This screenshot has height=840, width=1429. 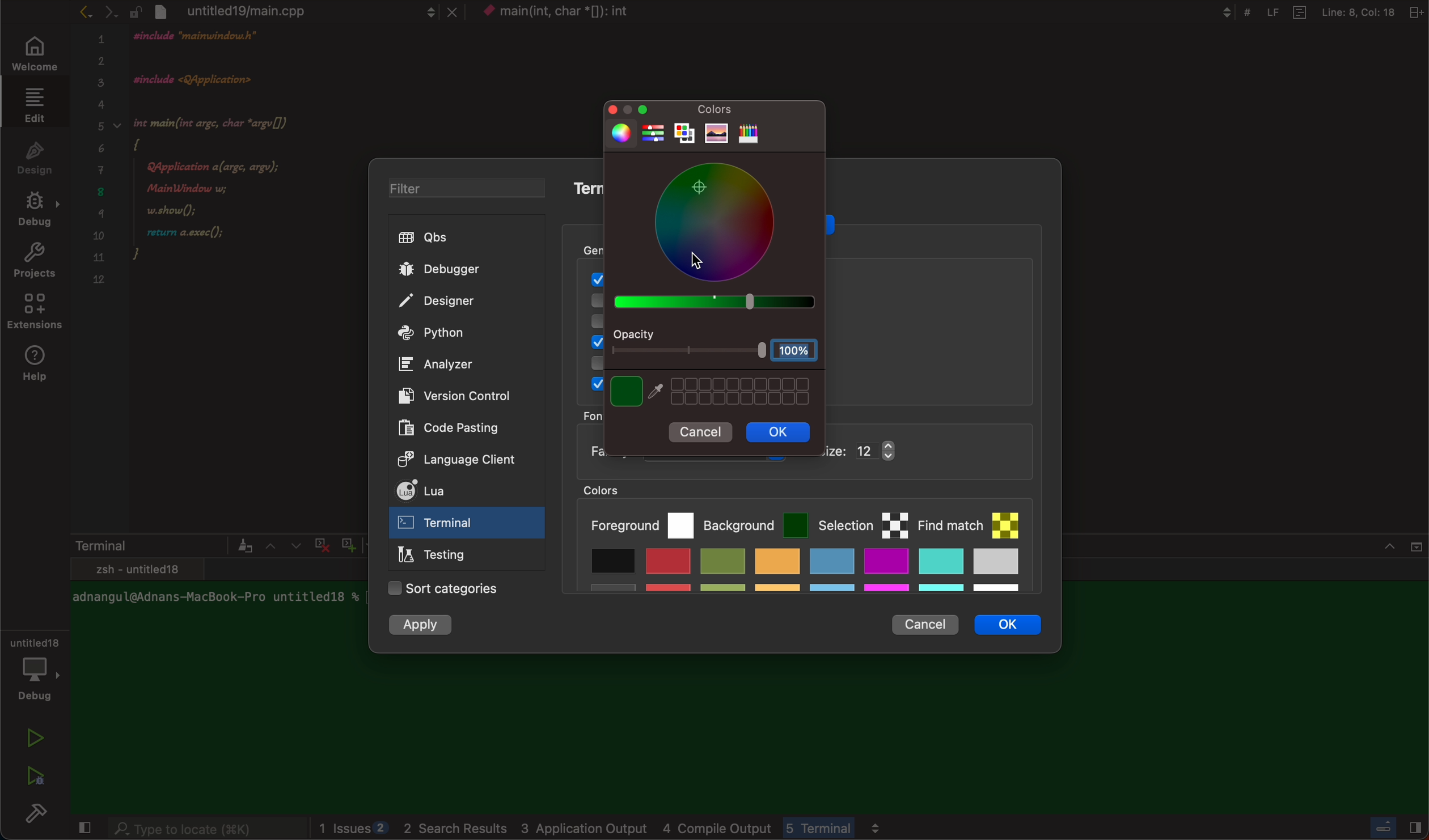 What do you see at coordinates (1016, 628) in the screenshot?
I see `ok` at bounding box center [1016, 628].